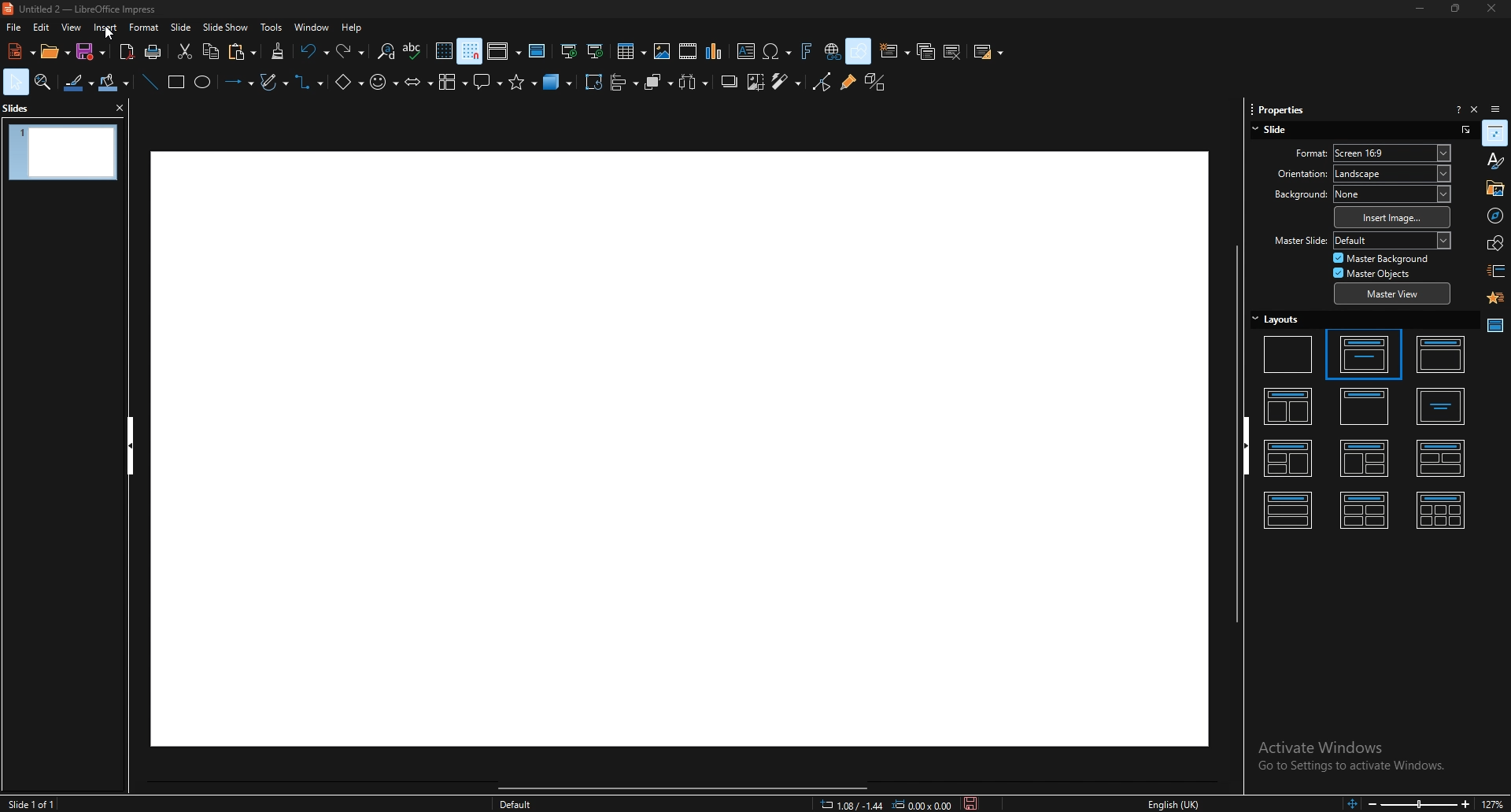 The width and height of the screenshot is (1511, 812). I want to click on cut, so click(183, 52).